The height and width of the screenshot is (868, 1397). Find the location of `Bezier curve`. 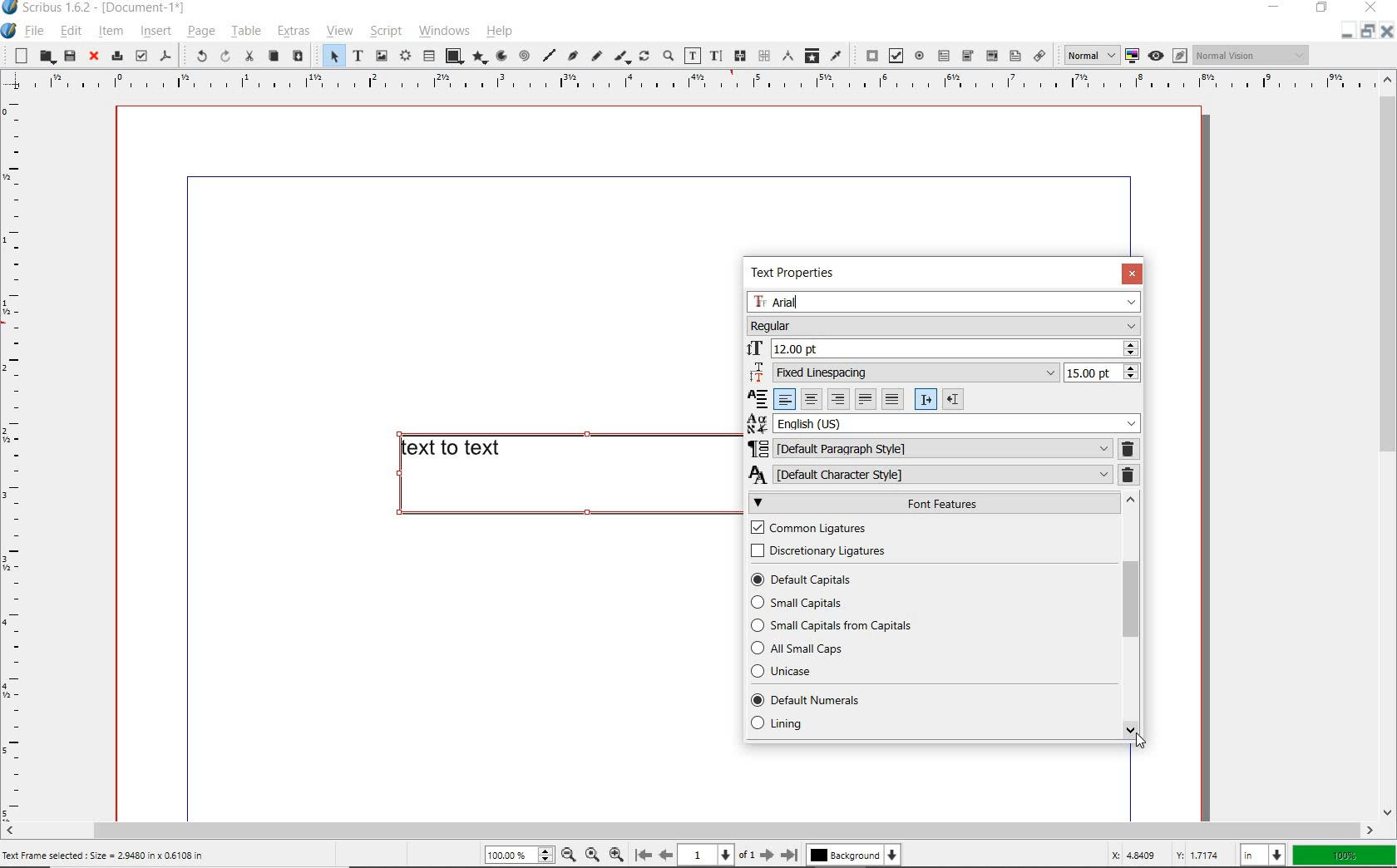

Bezier curve is located at coordinates (572, 57).